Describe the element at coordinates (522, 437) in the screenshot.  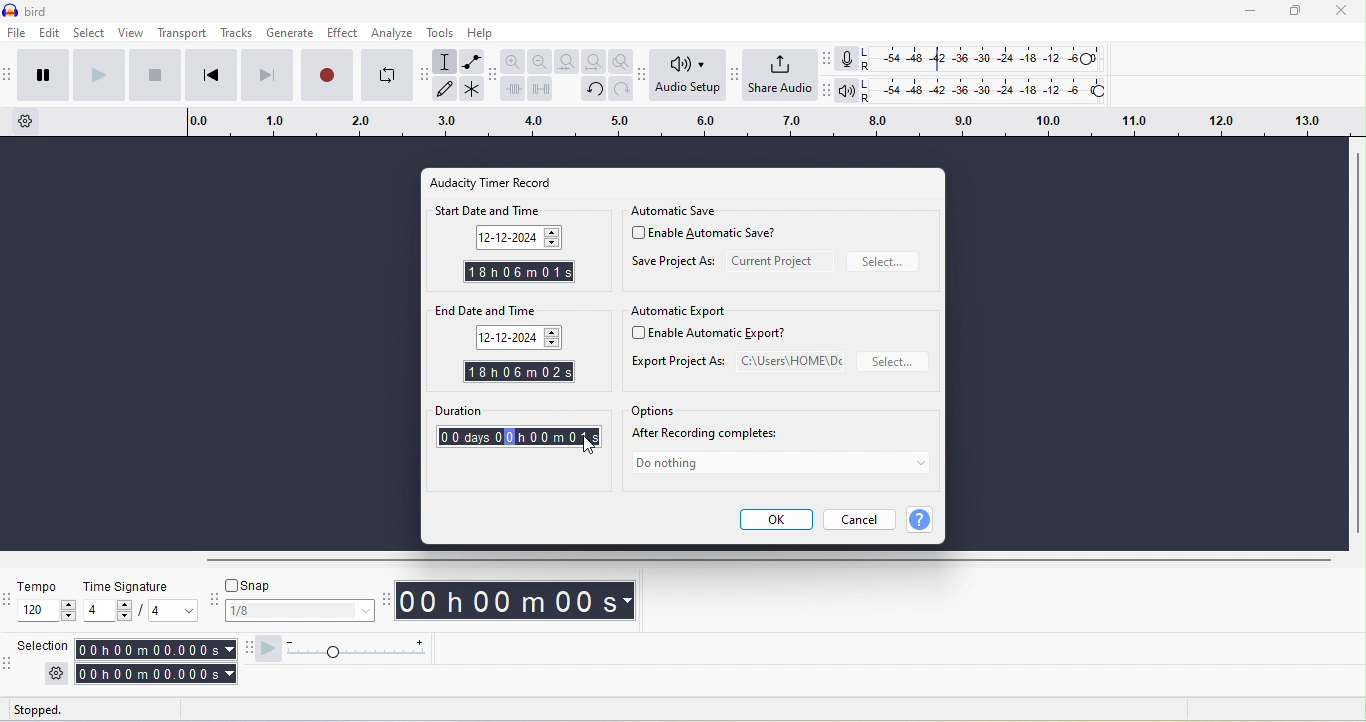
I see `Cursor on 0days0hour1second` at that location.